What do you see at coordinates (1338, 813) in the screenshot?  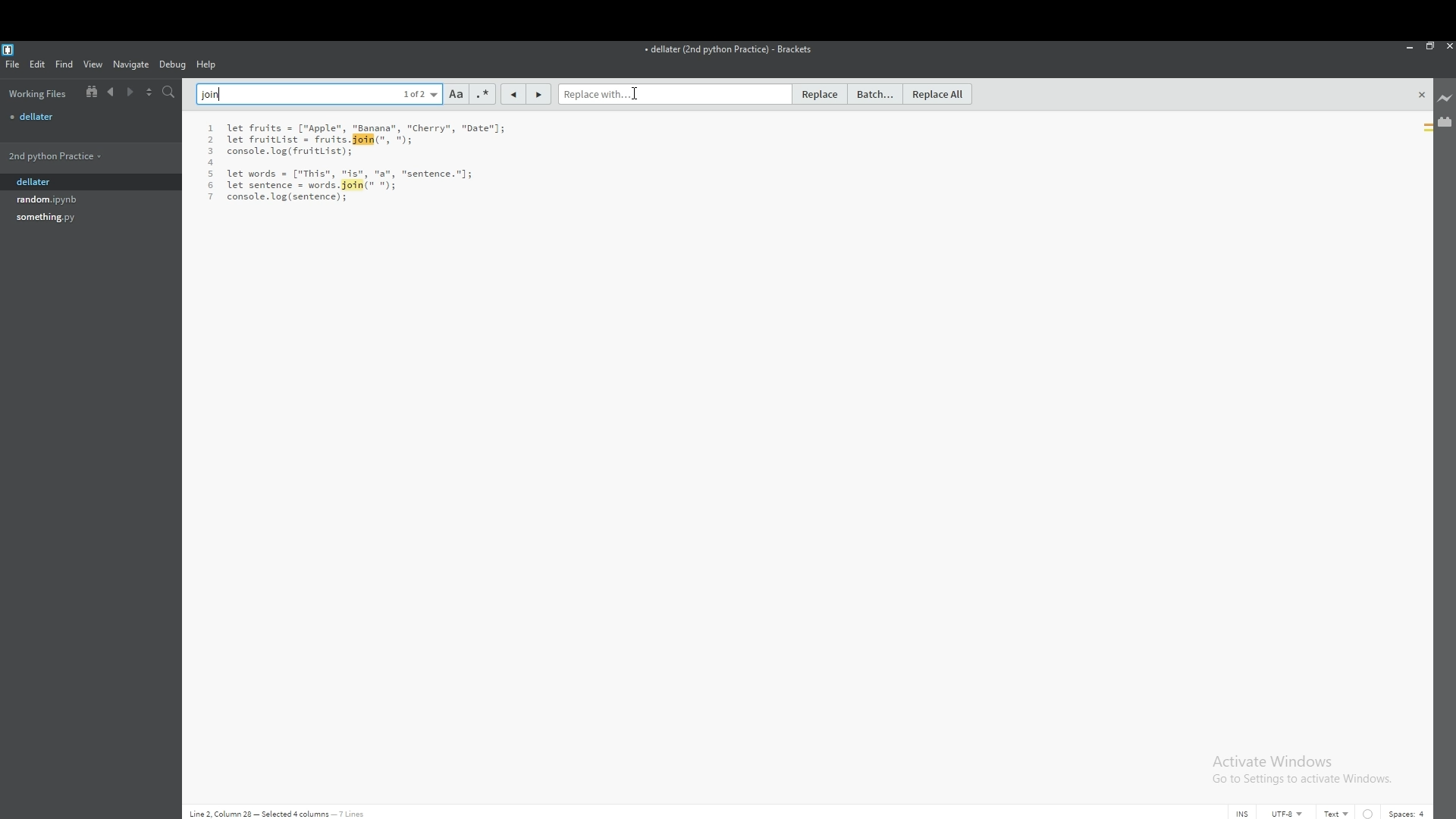 I see `text` at bounding box center [1338, 813].